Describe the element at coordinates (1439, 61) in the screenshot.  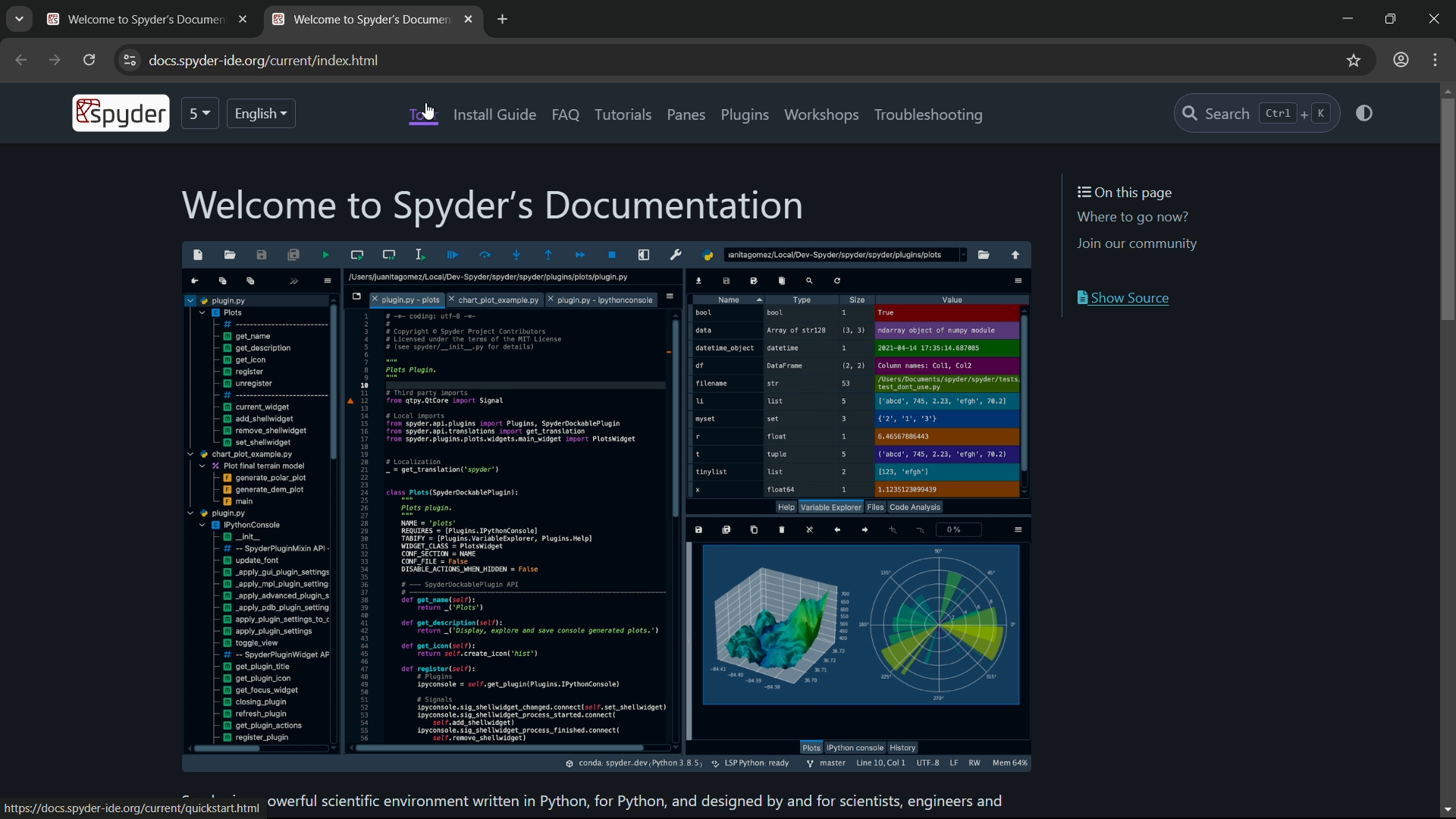
I see `favorites` at that location.